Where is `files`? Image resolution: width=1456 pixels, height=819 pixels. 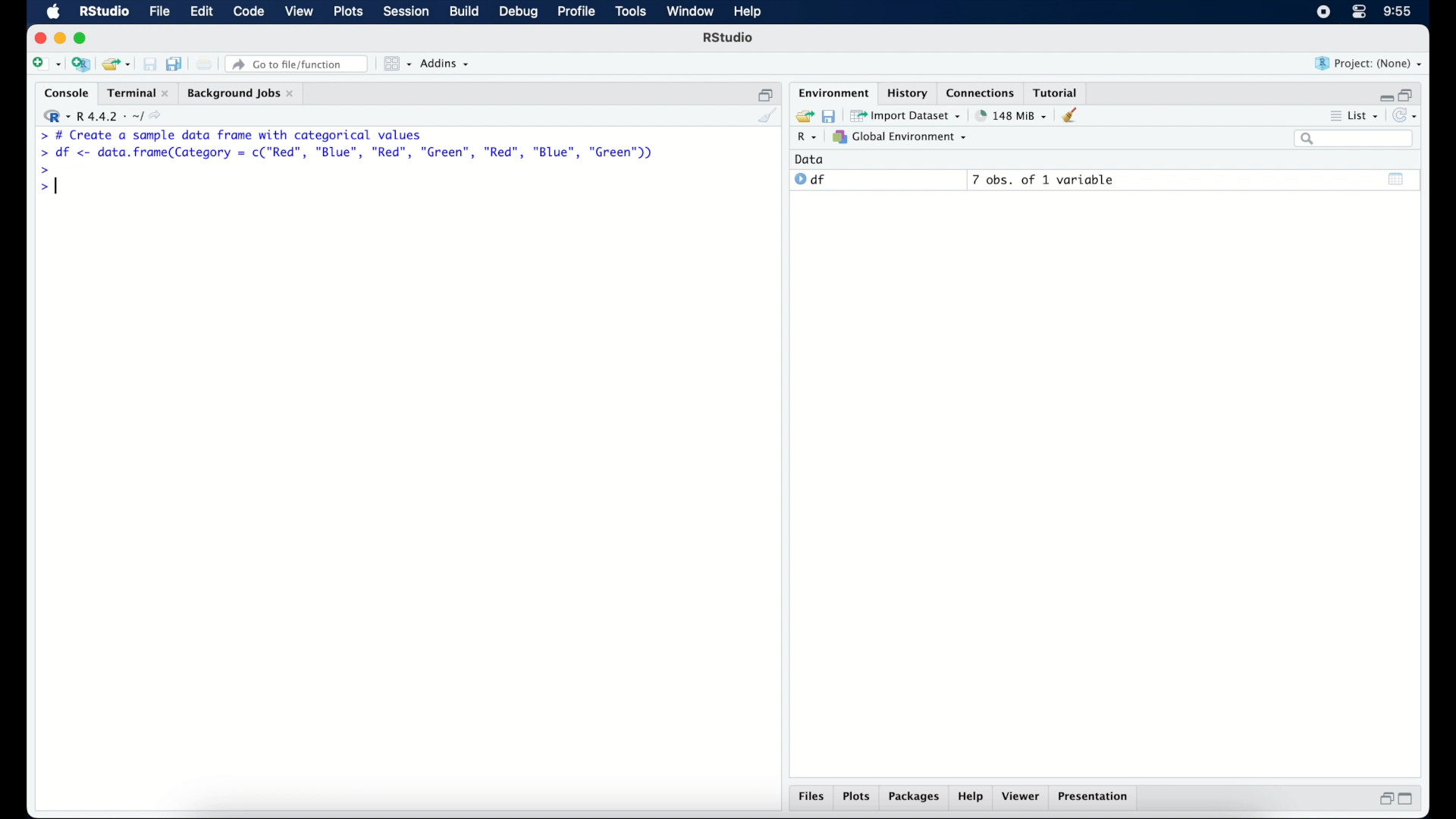 files is located at coordinates (810, 798).